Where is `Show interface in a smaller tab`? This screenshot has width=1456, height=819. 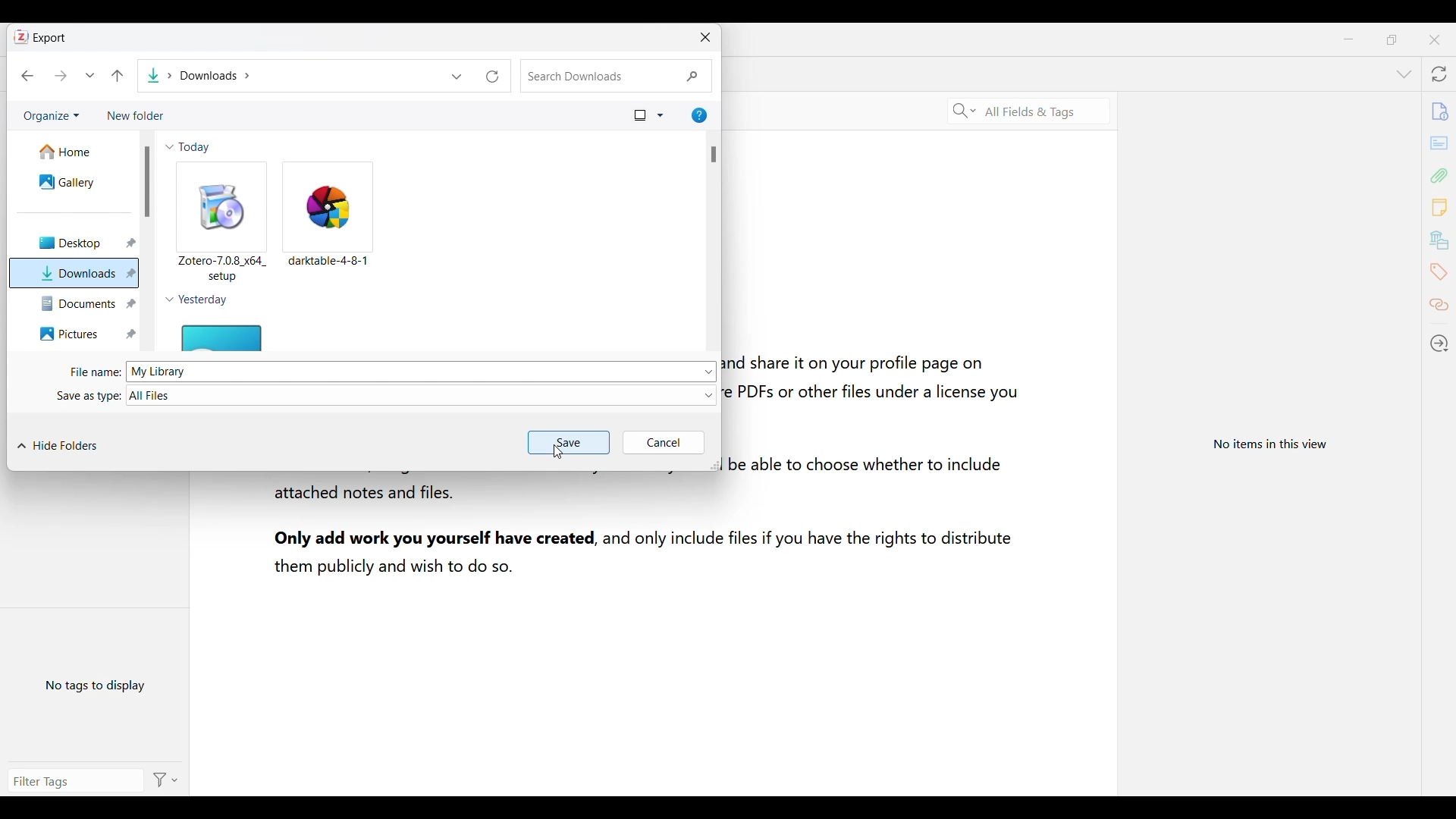
Show interface in a smaller tab is located at coordinates (1391, 39).